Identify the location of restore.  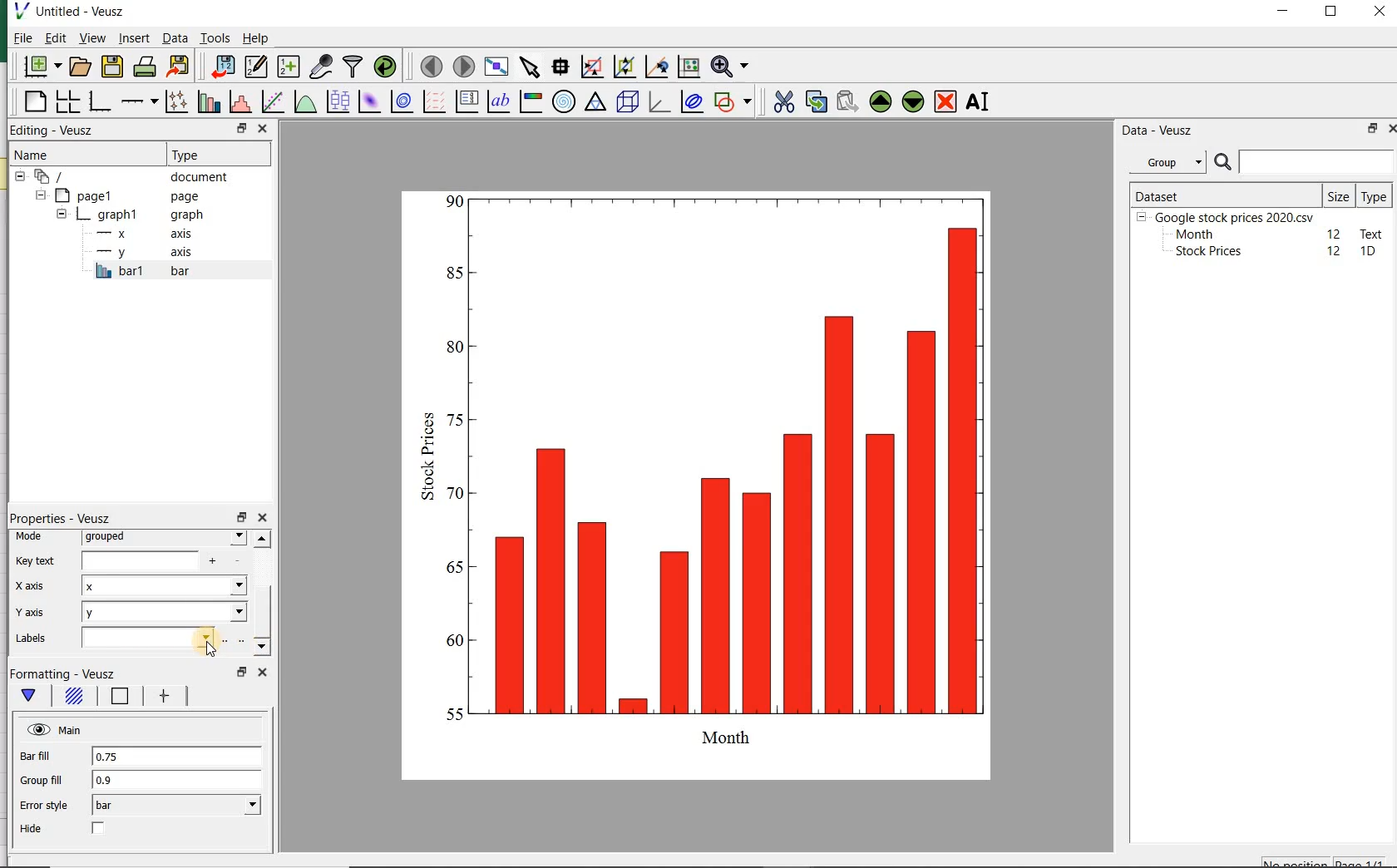
(242, 129).